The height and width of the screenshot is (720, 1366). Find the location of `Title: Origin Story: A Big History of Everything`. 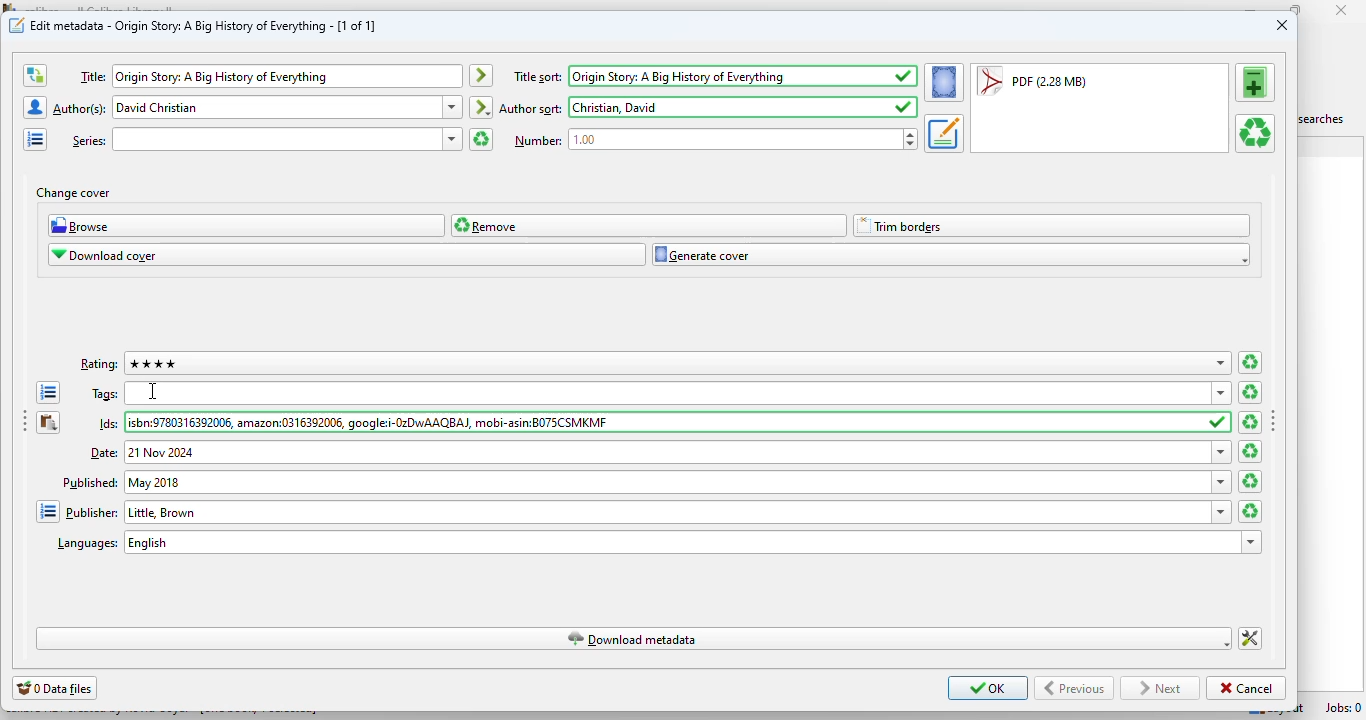

Title: Origin Story: A Big History of Everything is located at coordinates (288, 76).